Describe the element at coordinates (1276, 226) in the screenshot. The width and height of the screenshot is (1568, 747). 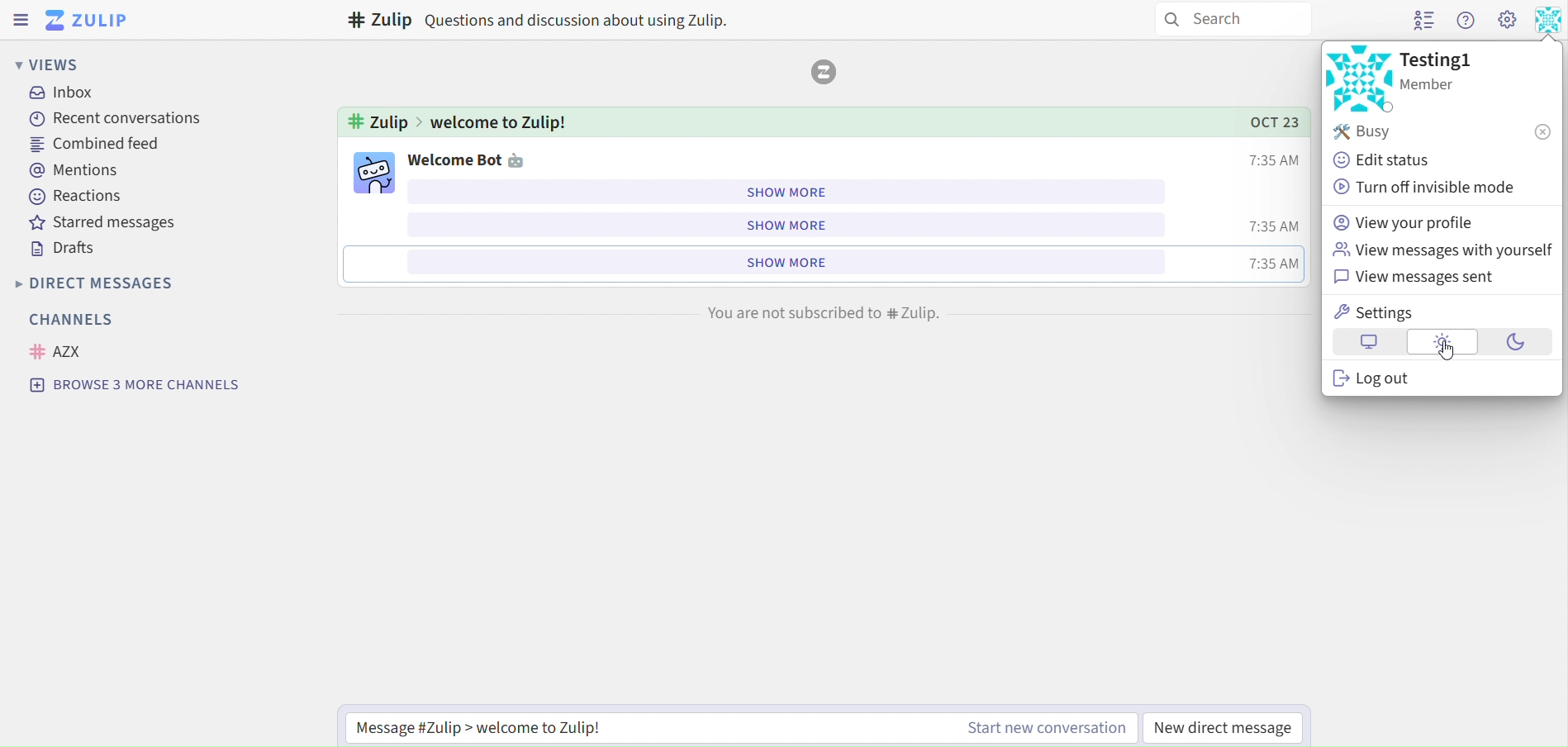
I see `time` at that location.